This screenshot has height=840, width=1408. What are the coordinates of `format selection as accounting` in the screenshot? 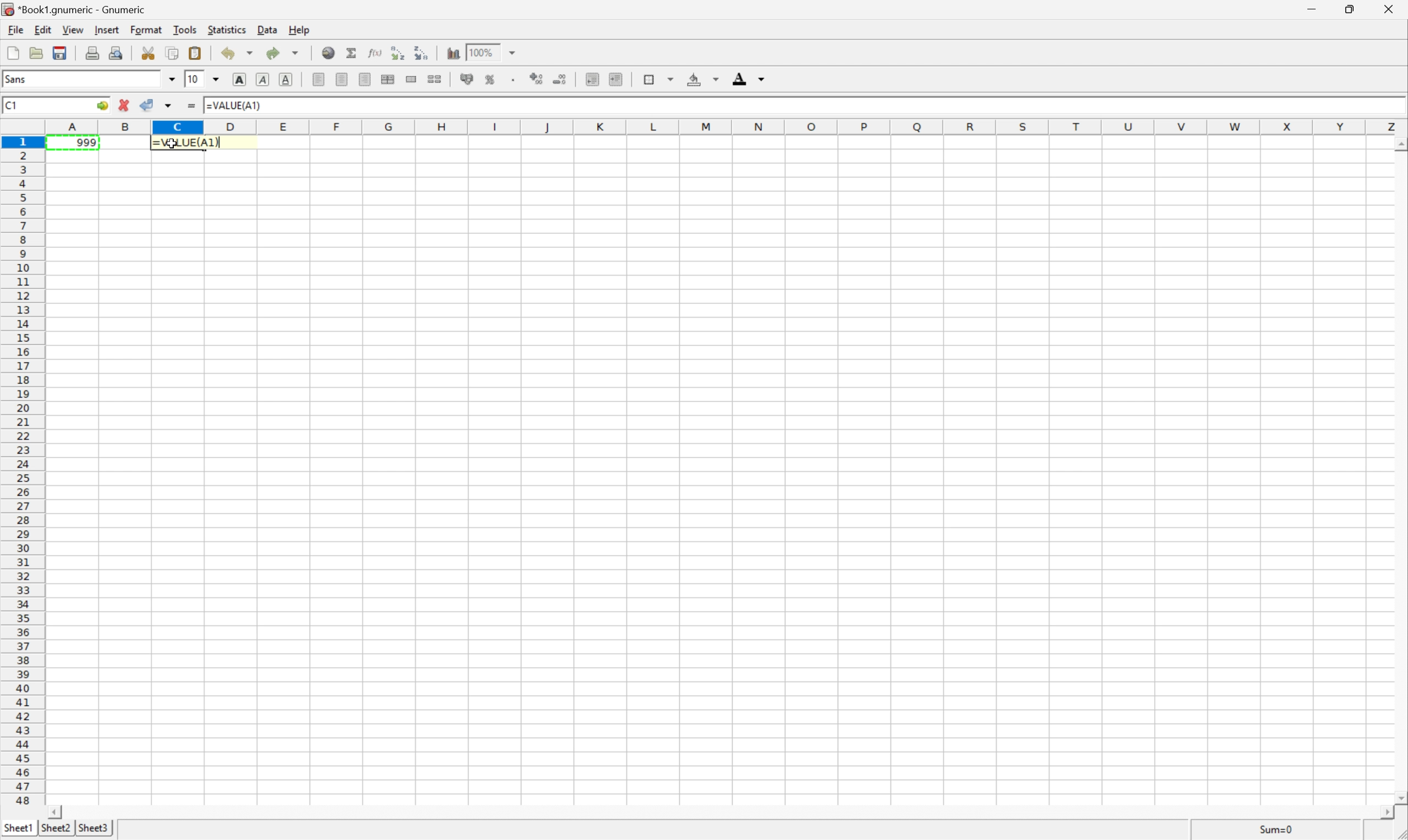 It's located at (468, 80).